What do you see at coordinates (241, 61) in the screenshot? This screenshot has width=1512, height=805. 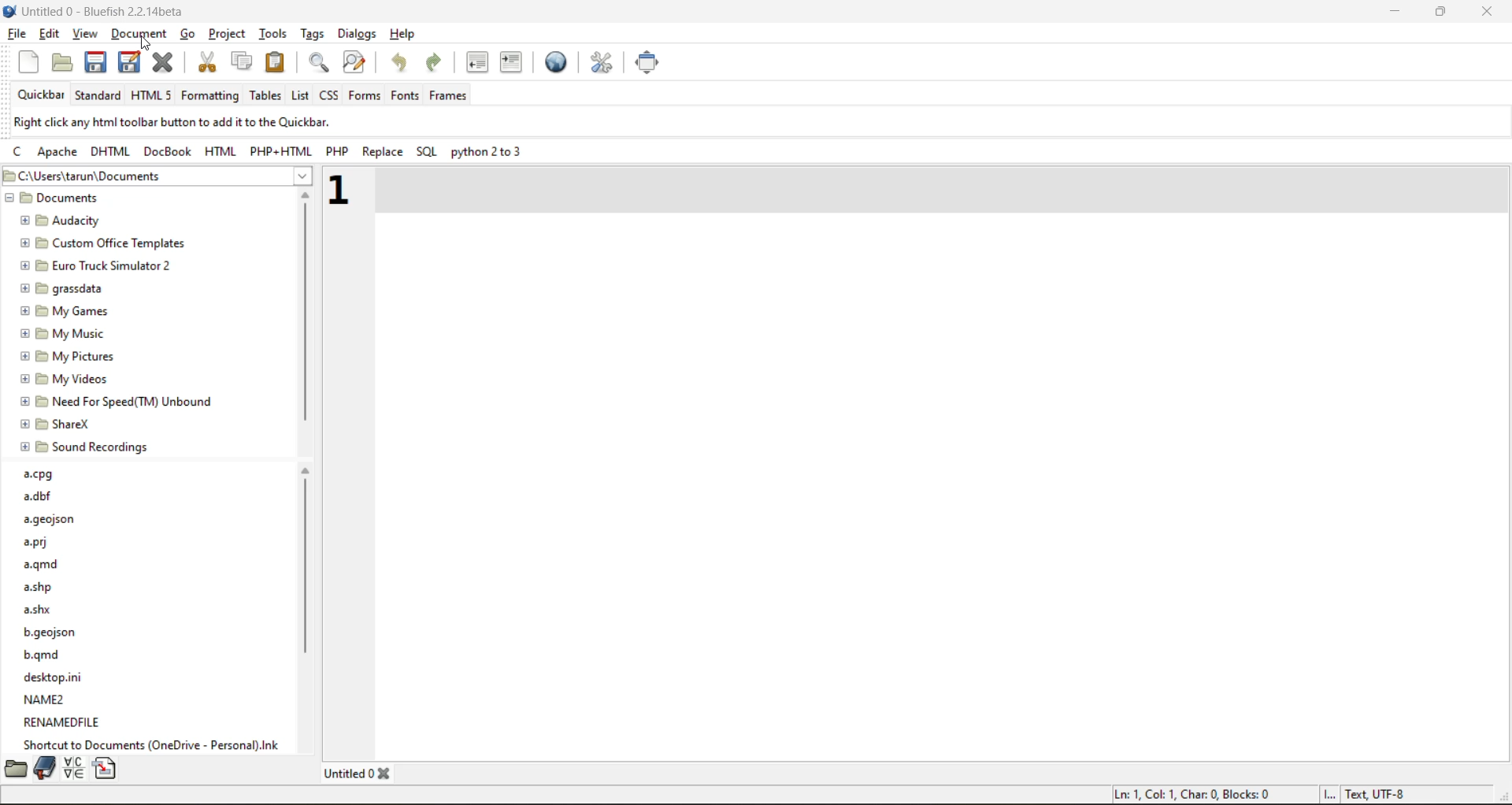 I see `copy` at bounding box center [241, 61].